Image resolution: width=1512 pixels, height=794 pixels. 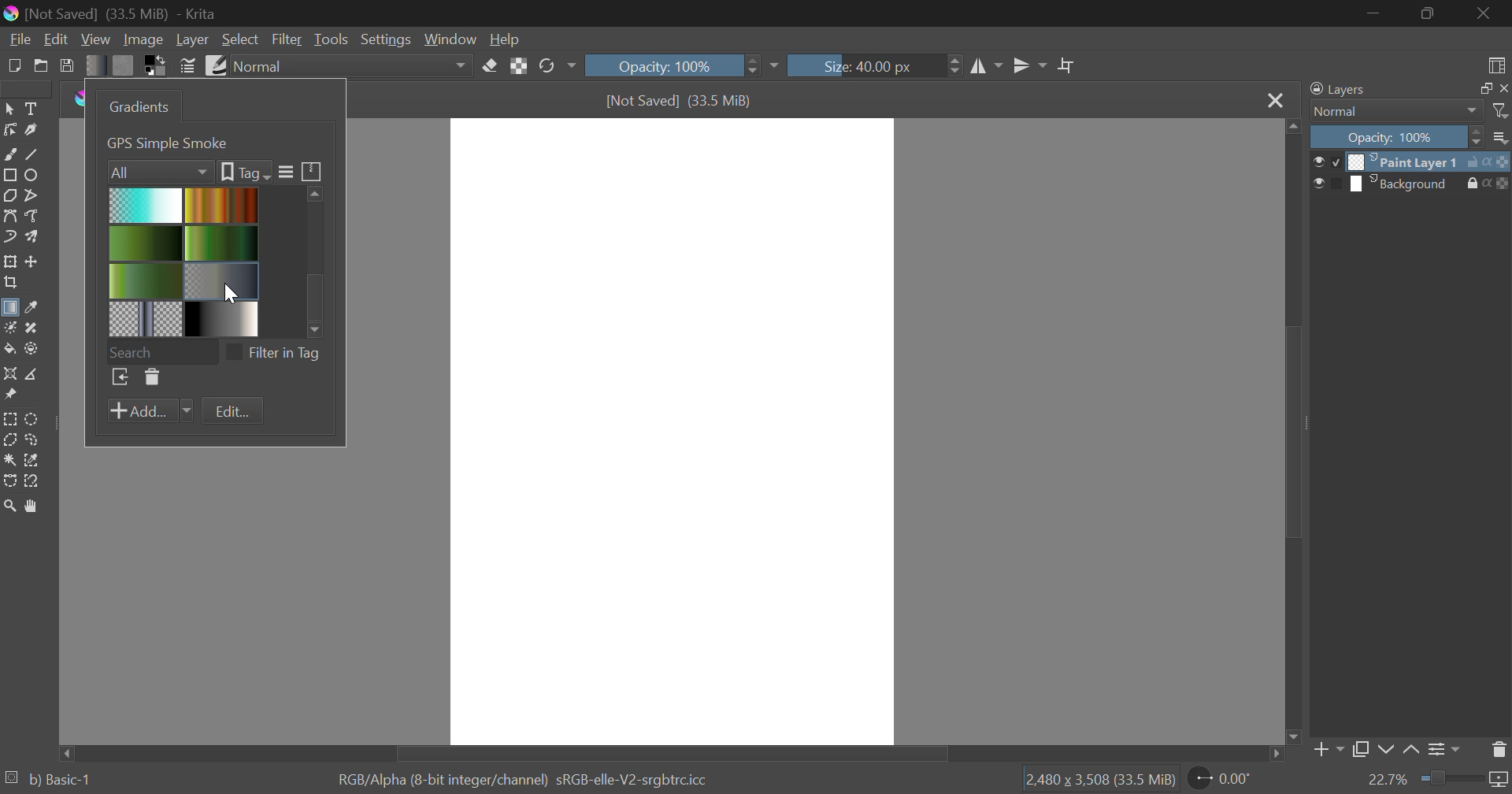 What do you see at coordinates (219, 204) in the screenshot?
I see `Gradient 2` at bounding box center [219, 204].